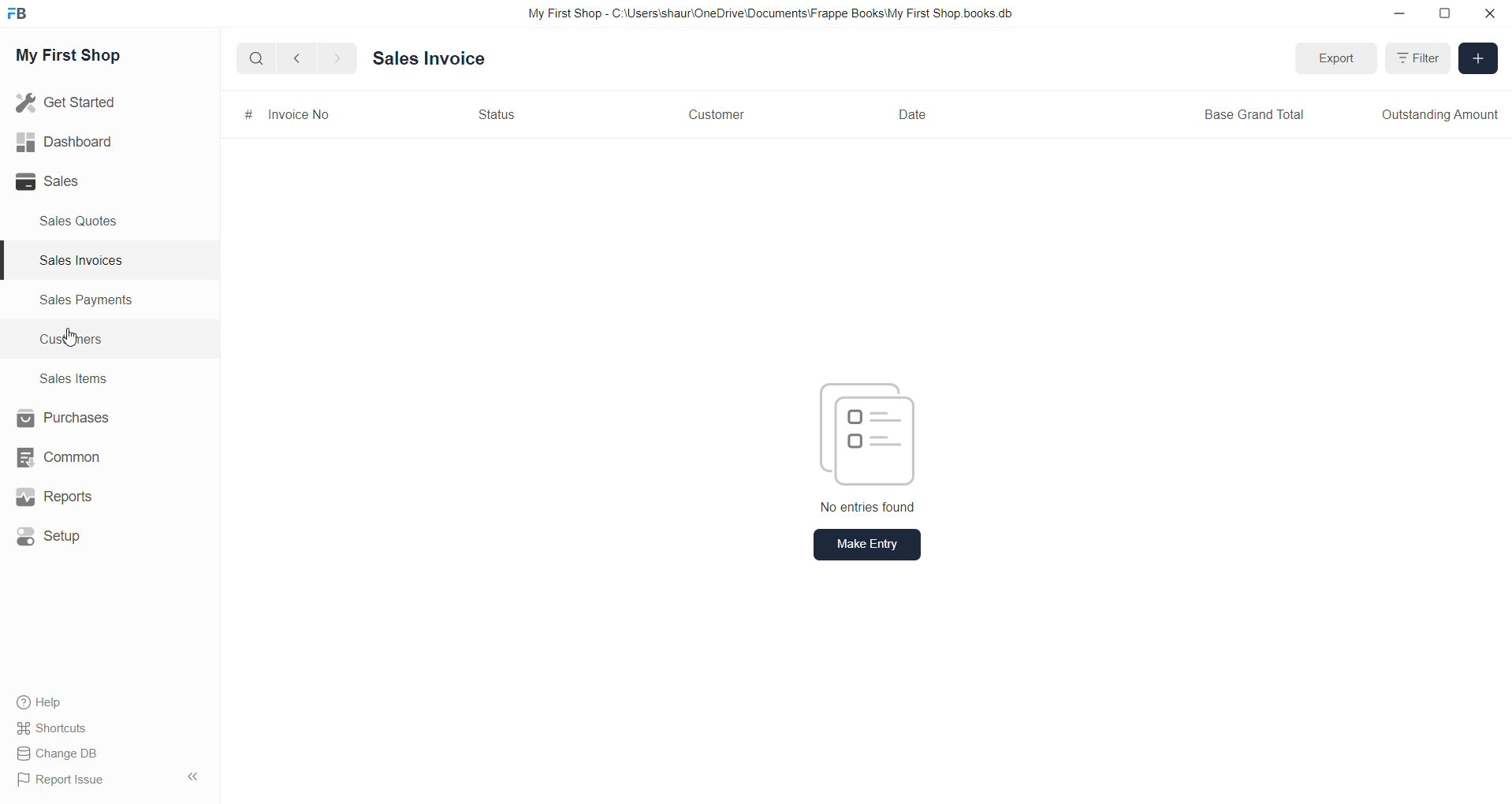 Image resolution: width=1512 pixels, height=804 pixels. I want to click on Help, so click(37, 700).